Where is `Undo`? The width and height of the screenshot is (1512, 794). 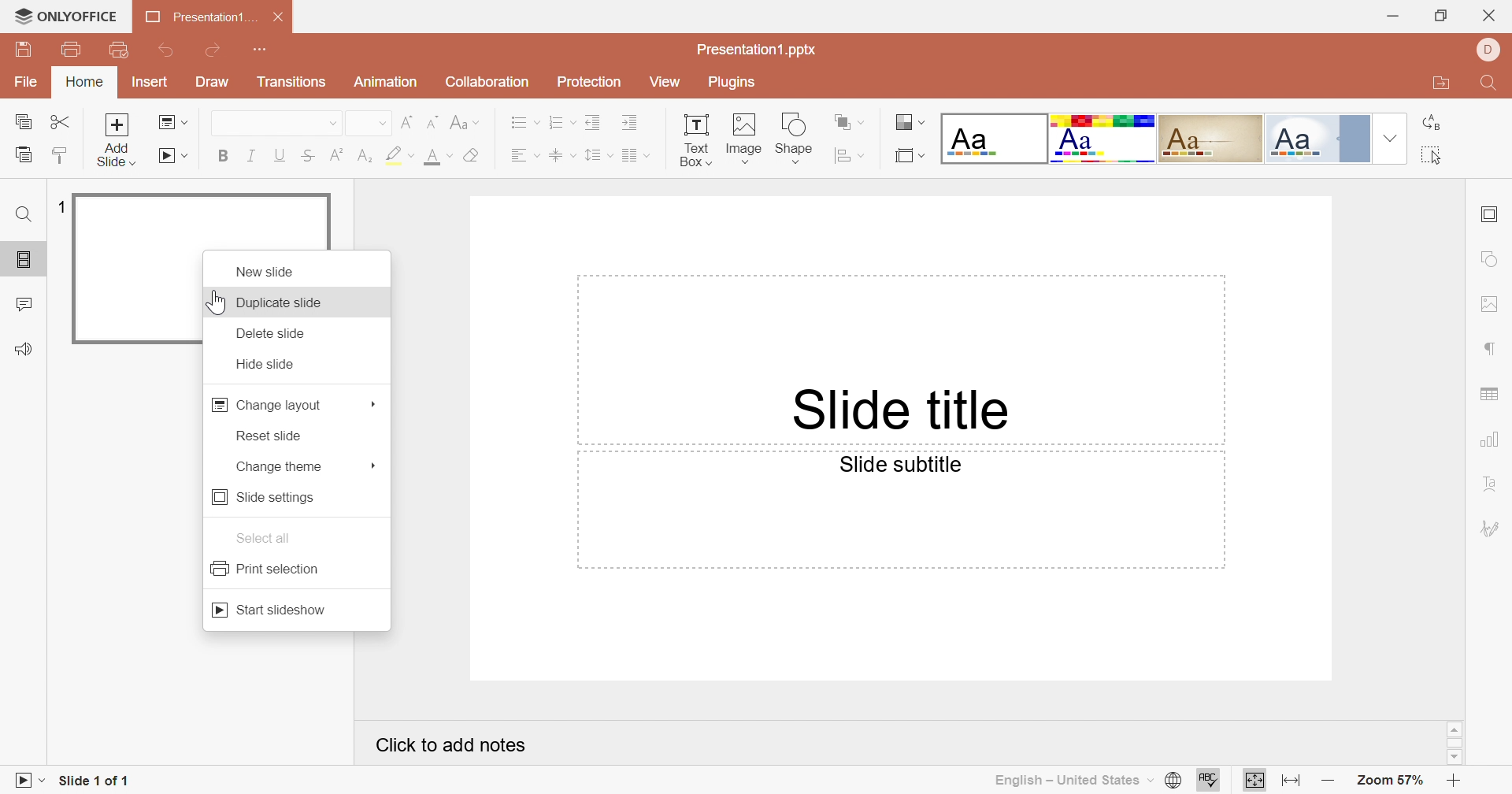
Undo is located at coordinates (169, 50).